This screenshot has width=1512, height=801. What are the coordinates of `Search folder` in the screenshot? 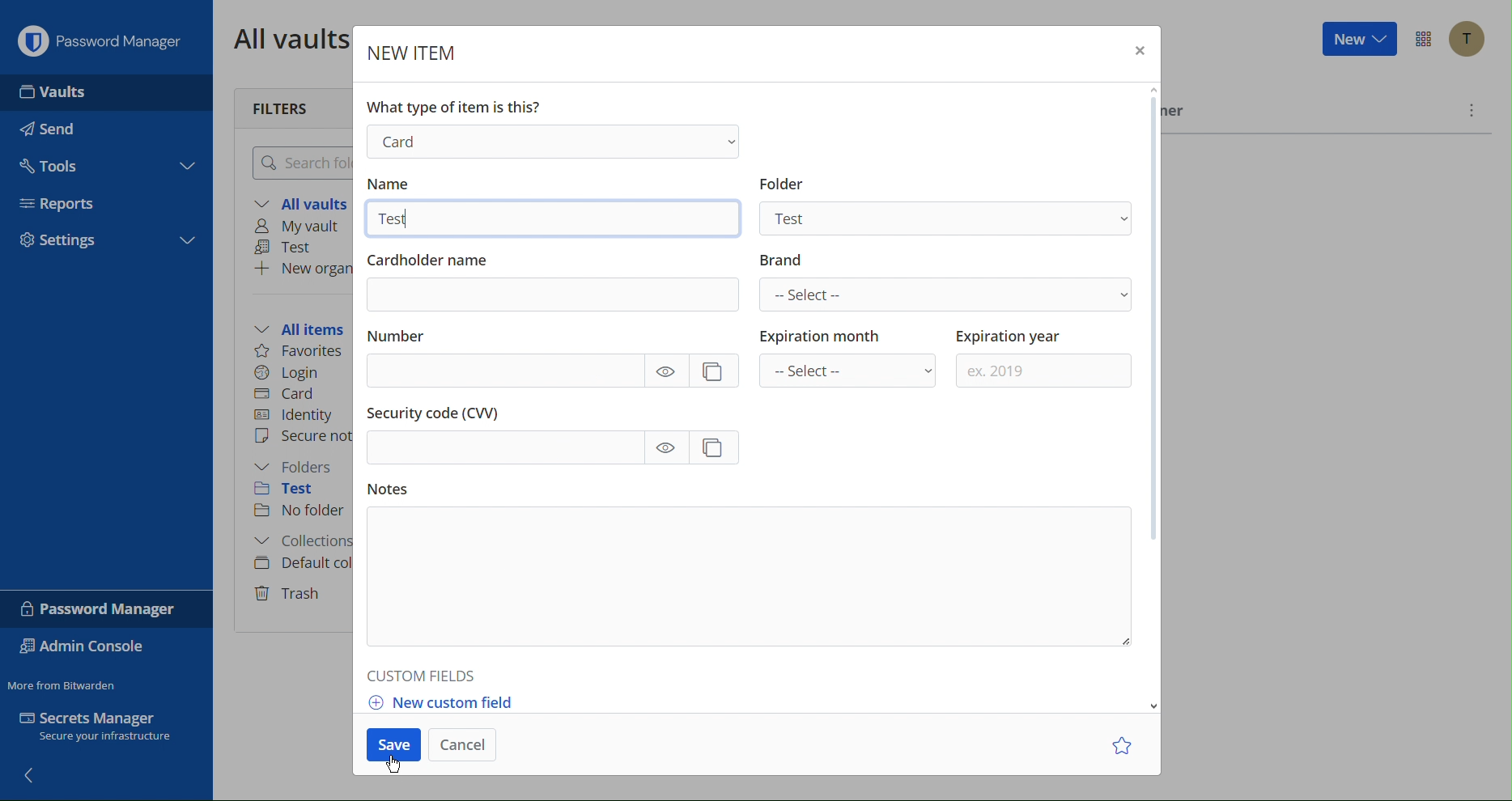 It's located at (303, 162).